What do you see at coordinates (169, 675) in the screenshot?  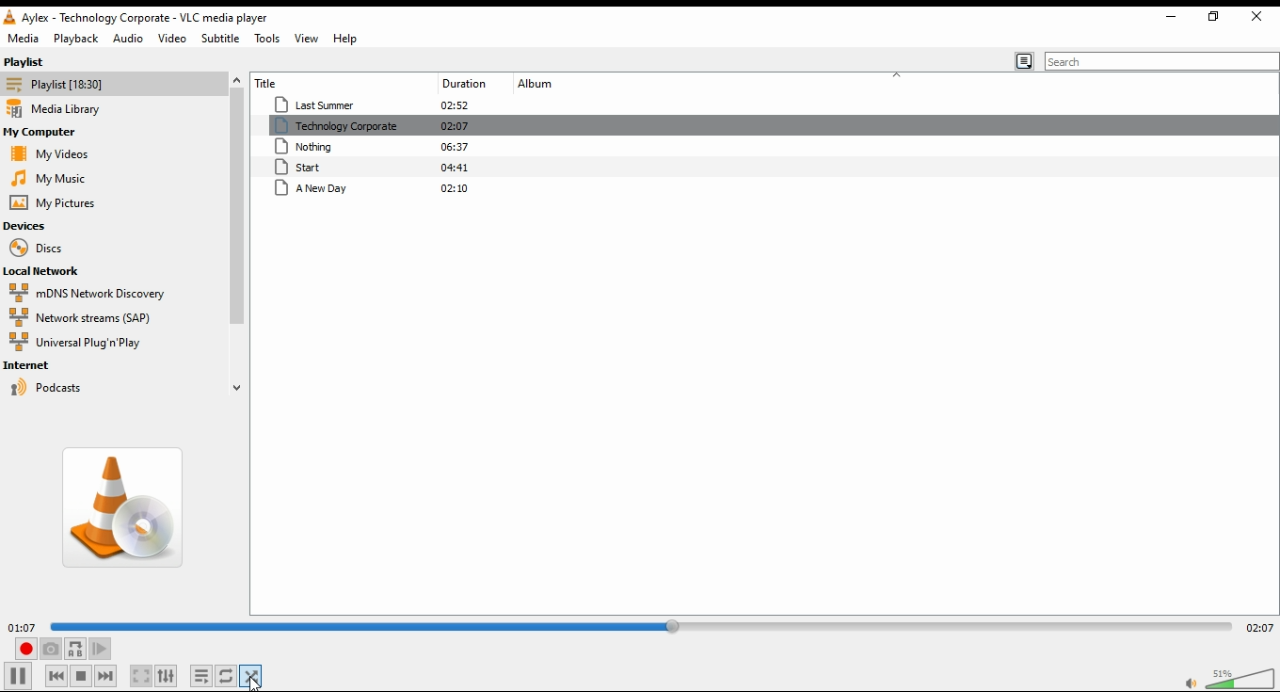 I see `show extended settings` at bounding box center [169, 675].